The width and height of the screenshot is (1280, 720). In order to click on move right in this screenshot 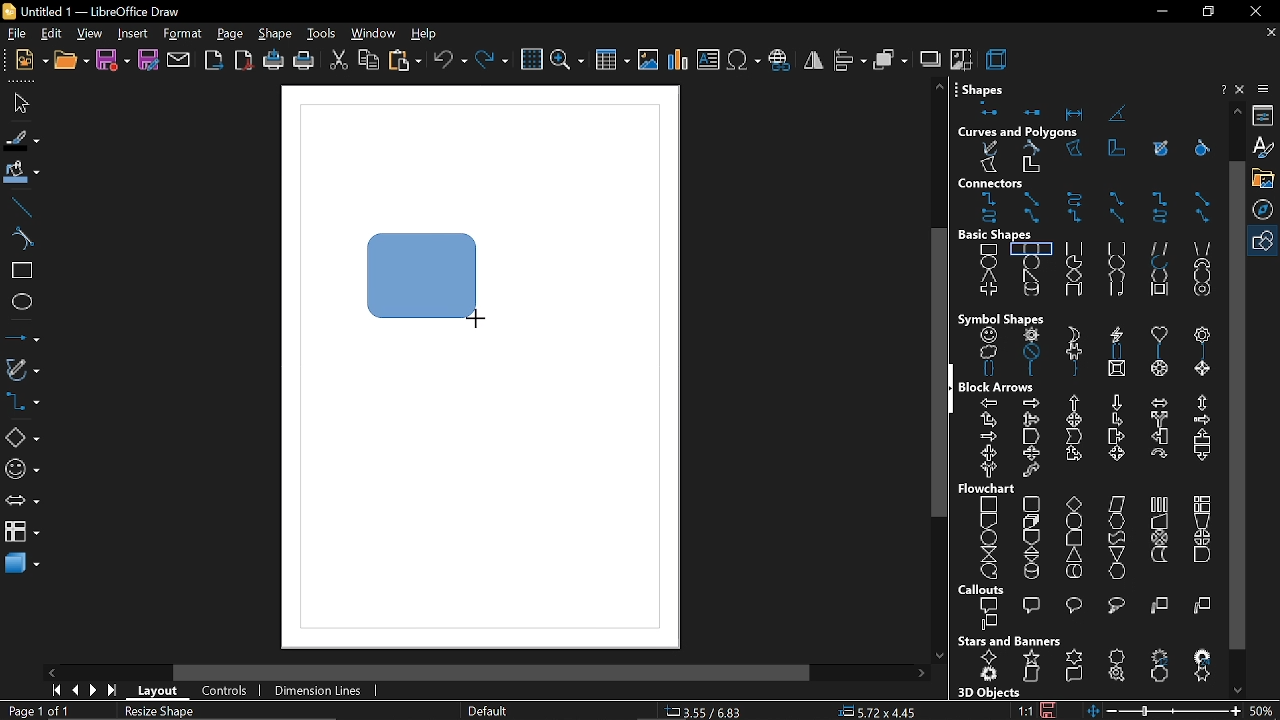, I will do `click(921, 674)`.